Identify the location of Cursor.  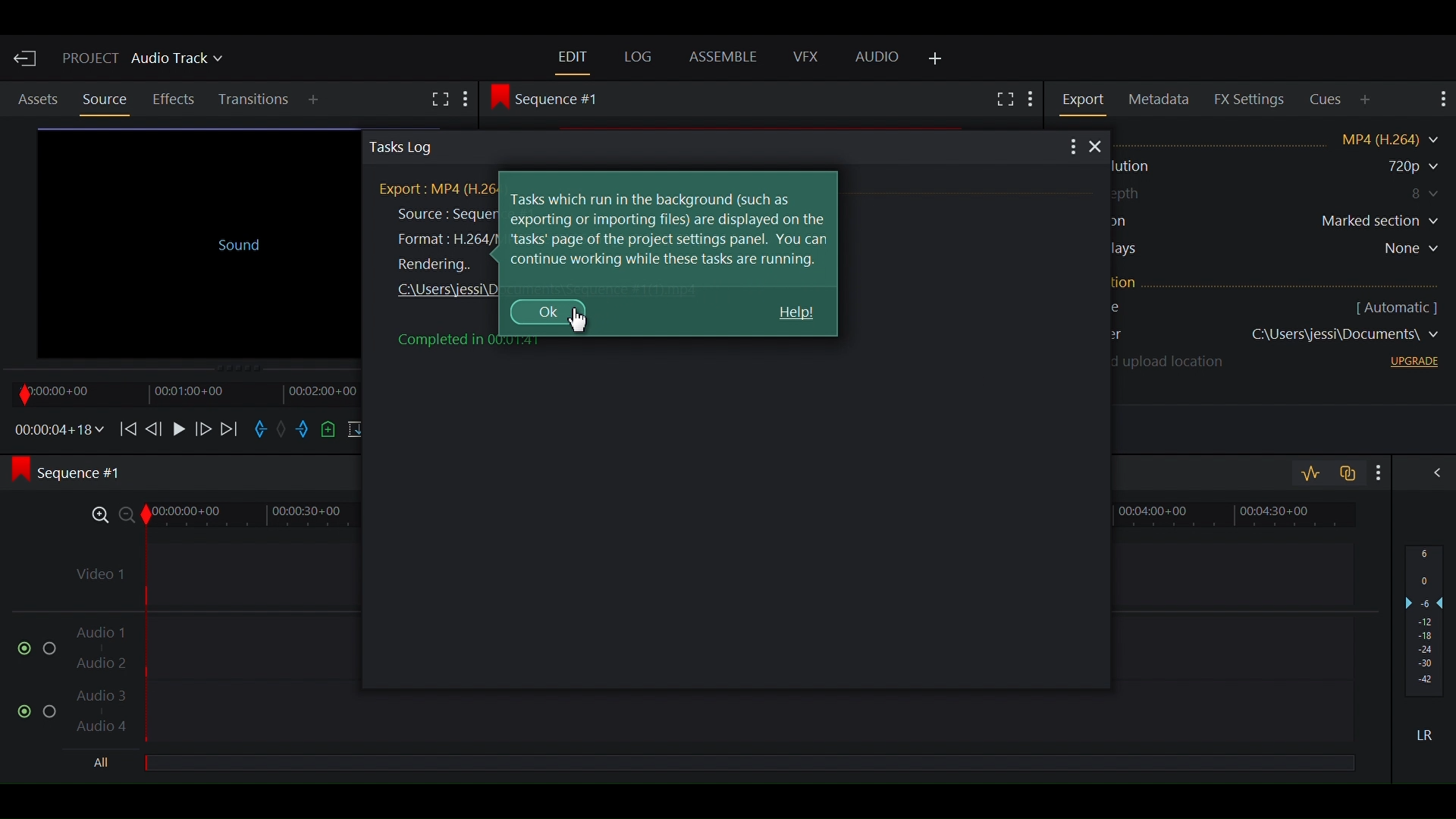
(584, 319).